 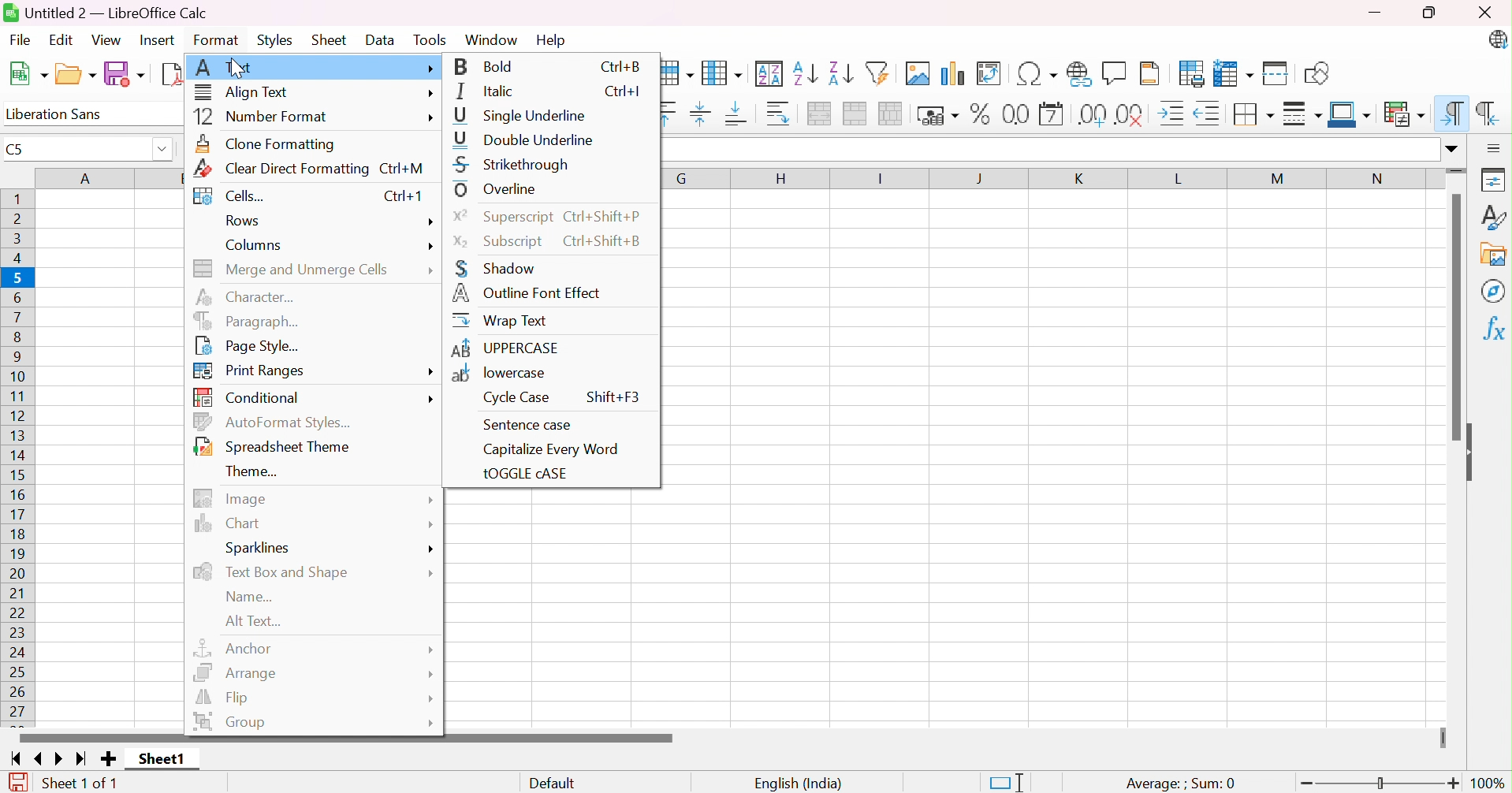 I want to click on Shift+F3, so click(x=612, y=396).